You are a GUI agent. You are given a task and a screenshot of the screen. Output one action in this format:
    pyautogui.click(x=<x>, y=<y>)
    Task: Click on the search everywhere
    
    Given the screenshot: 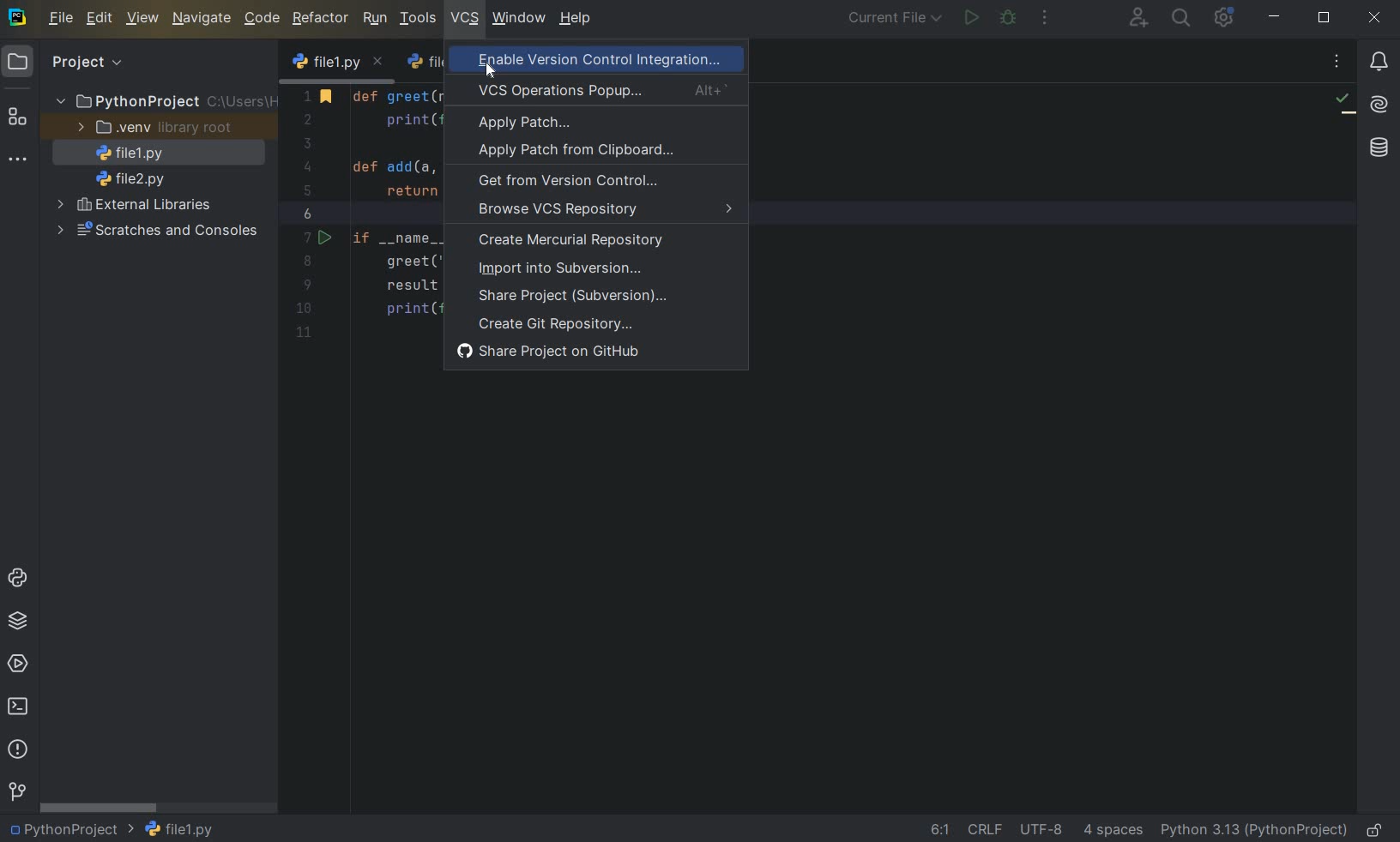 What is the action you would take?
    pyautogui.click(x=1182, y=17)
    